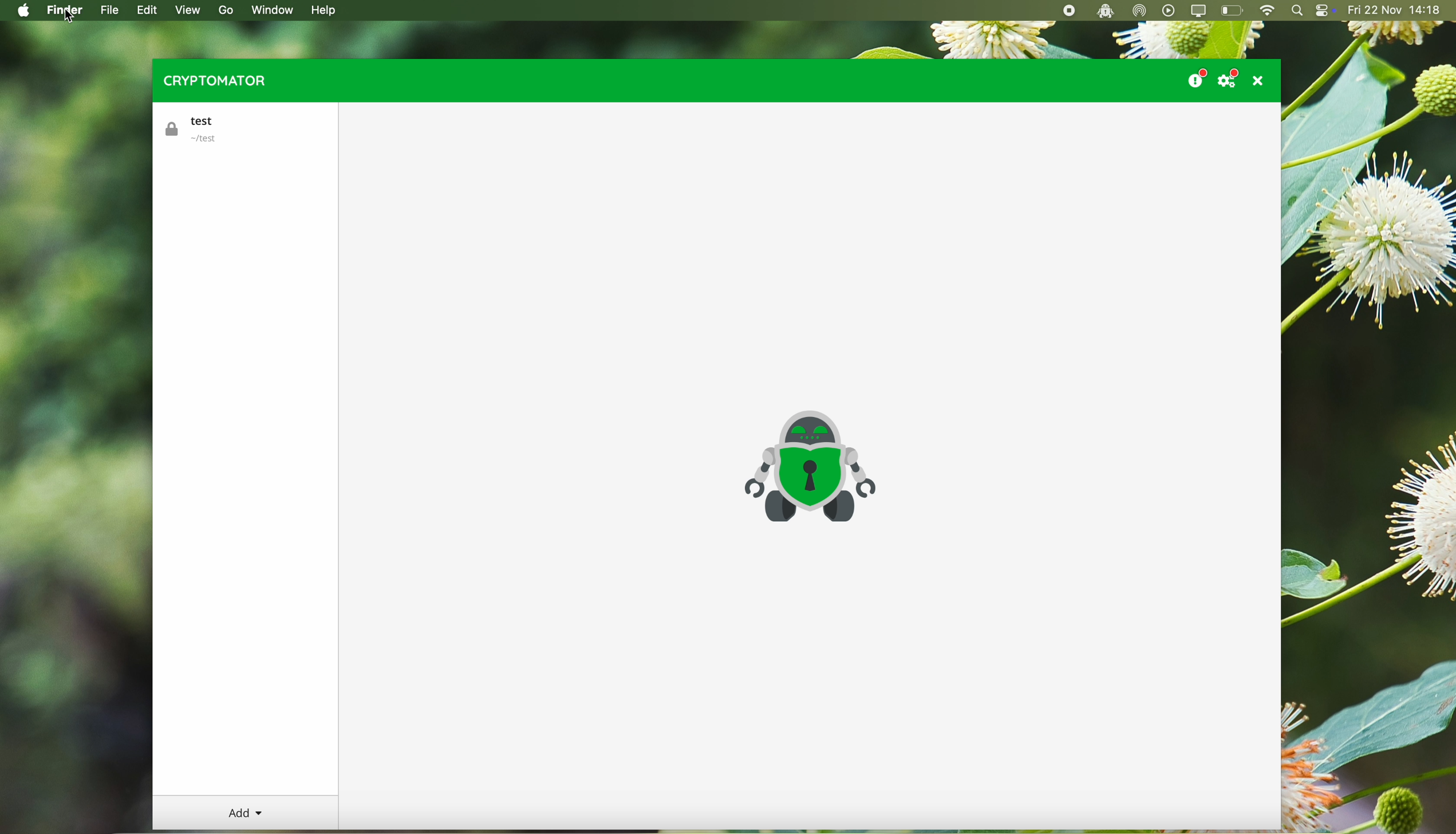  Describe the element at coordinates (1261, 80) in the screenshot. I see `close program` at that location.